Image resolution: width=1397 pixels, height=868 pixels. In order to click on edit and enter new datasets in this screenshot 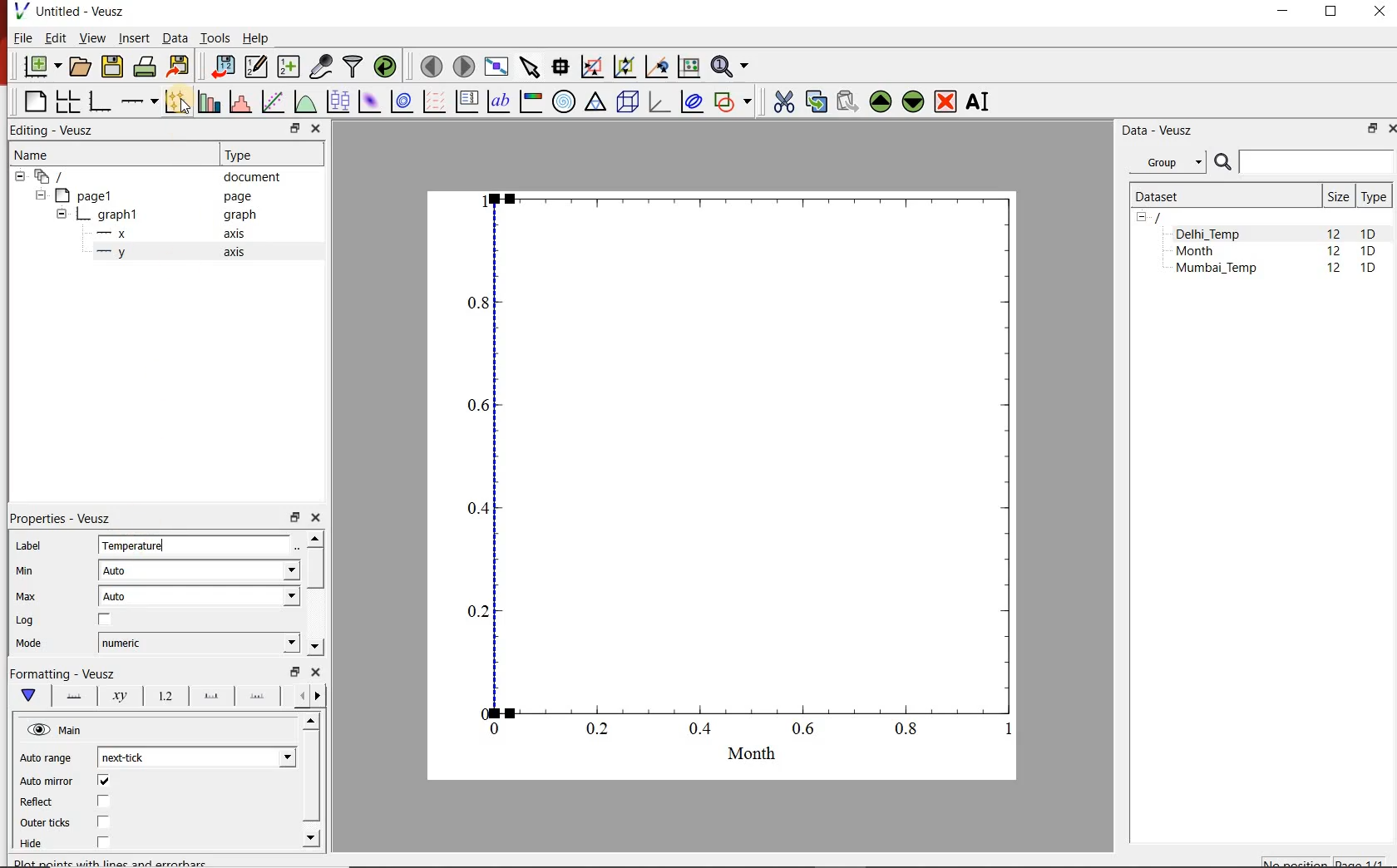, I will do `click(255, 67)`.